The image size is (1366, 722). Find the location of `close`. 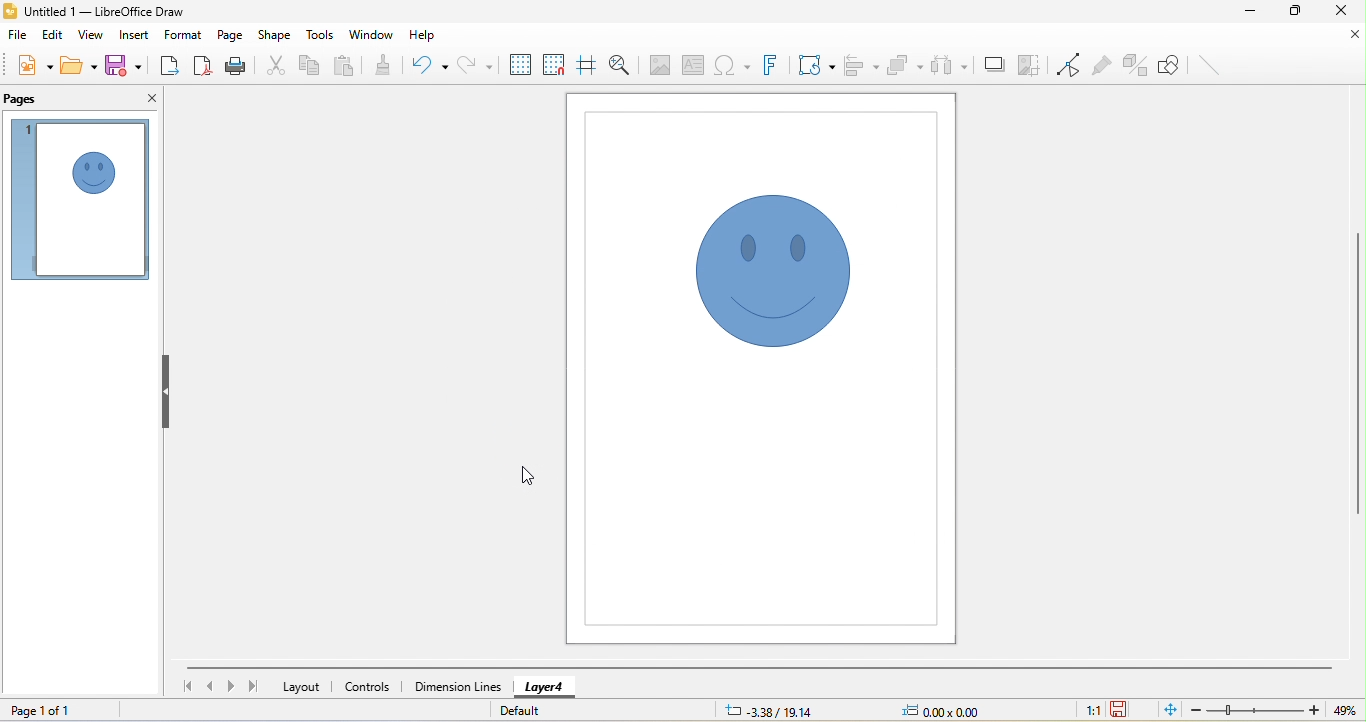

close is located at coordinates (149, 101).